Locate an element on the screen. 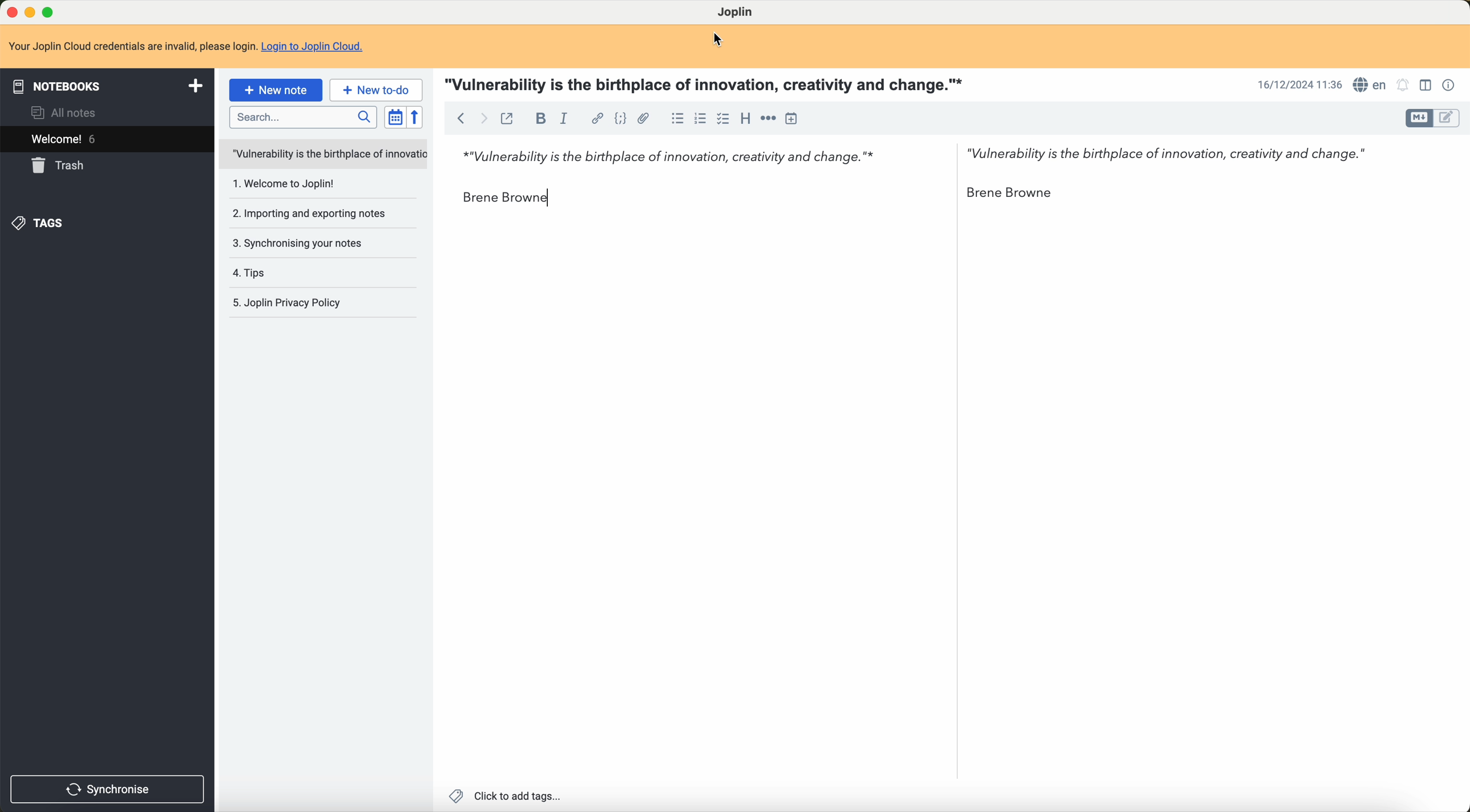 This screenshot has width=1470, height=812. back is located at coordinates (461, 119).